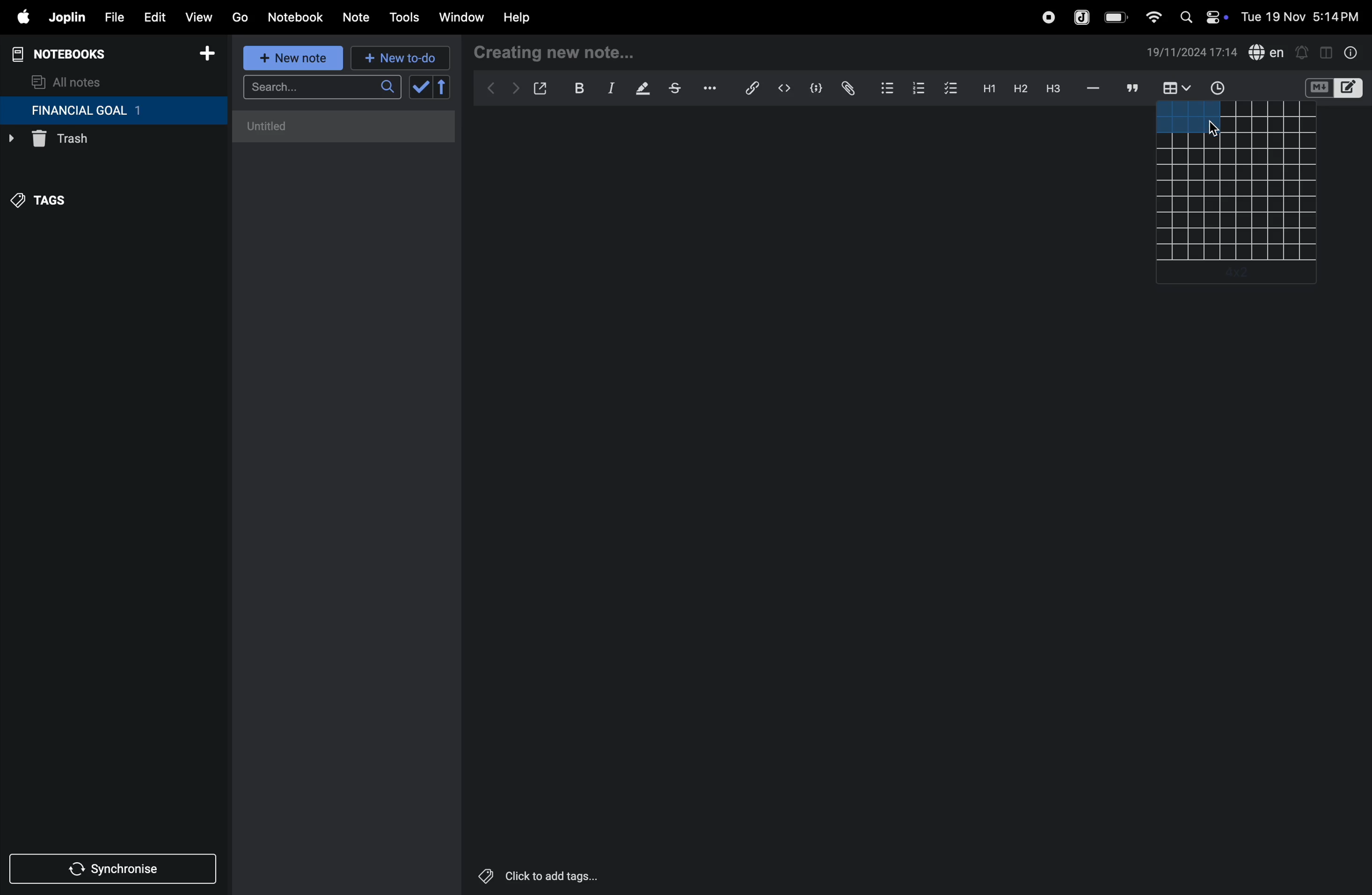 This screenshot has width=1372, height=895. Describe the element at coordinates (756, 88) in the screenshot. I see `hyper link` at that location.